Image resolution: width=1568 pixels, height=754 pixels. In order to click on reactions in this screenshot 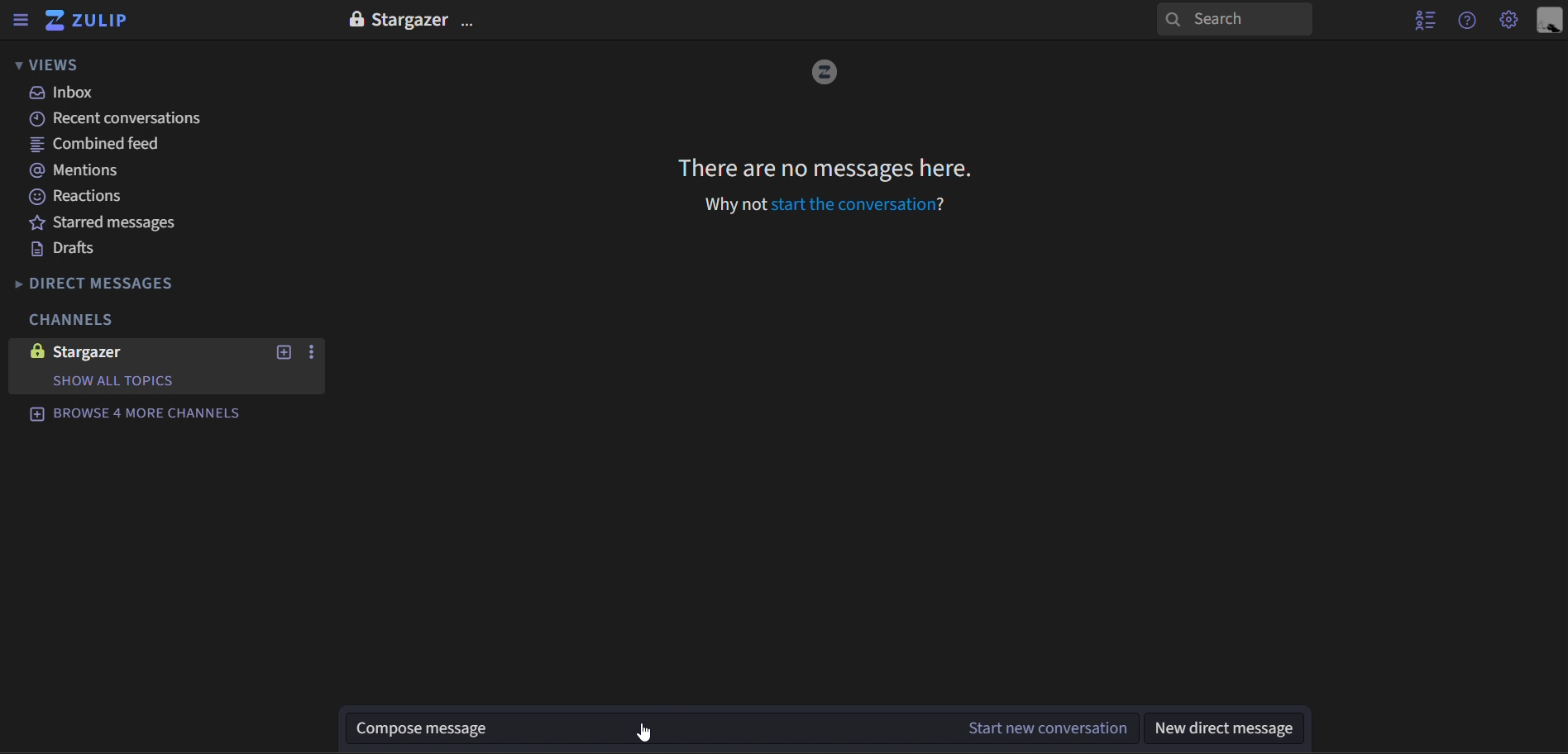, I will do `click(128, 198)`.